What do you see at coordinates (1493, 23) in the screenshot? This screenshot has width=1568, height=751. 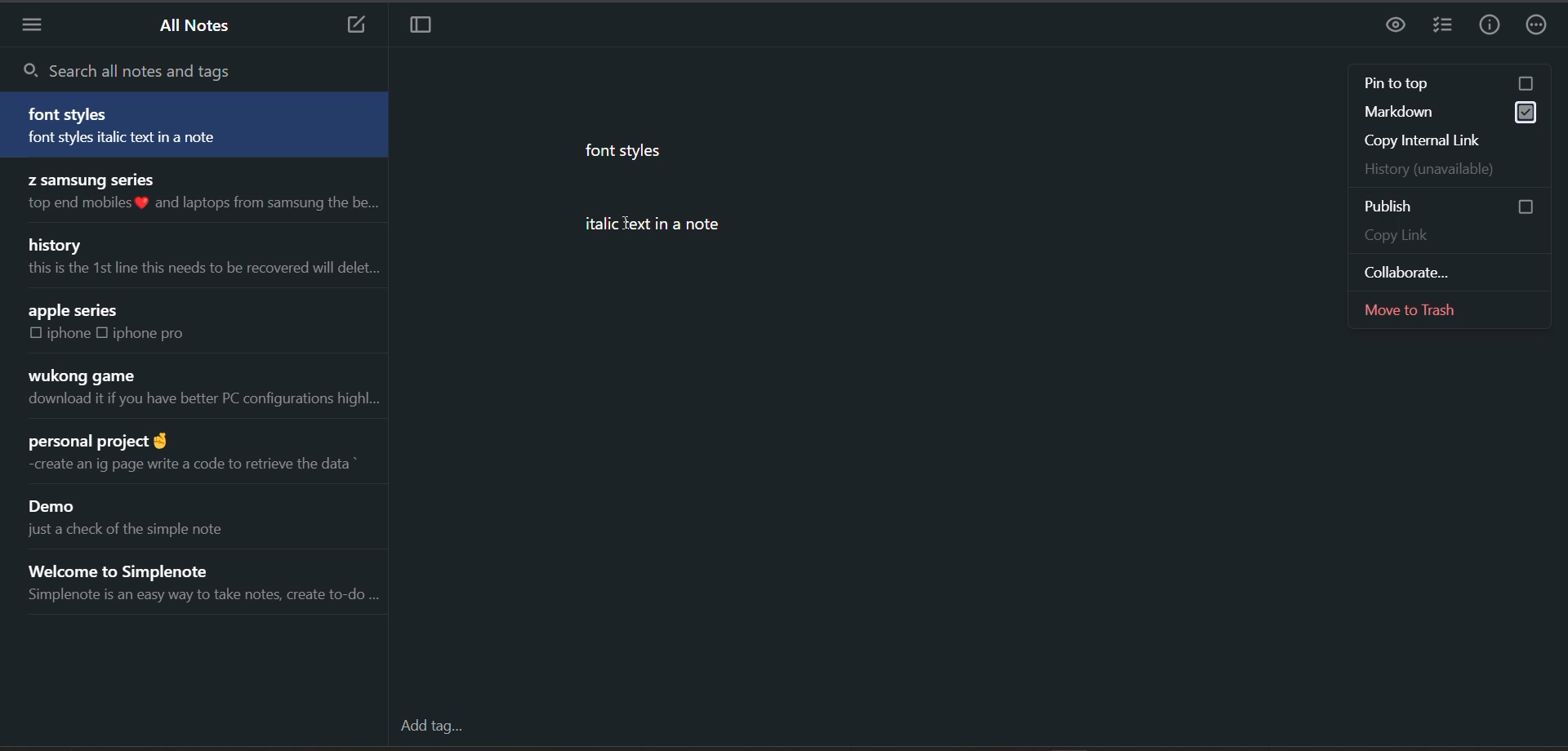 I see `info` at bounding box center [1493, 23].